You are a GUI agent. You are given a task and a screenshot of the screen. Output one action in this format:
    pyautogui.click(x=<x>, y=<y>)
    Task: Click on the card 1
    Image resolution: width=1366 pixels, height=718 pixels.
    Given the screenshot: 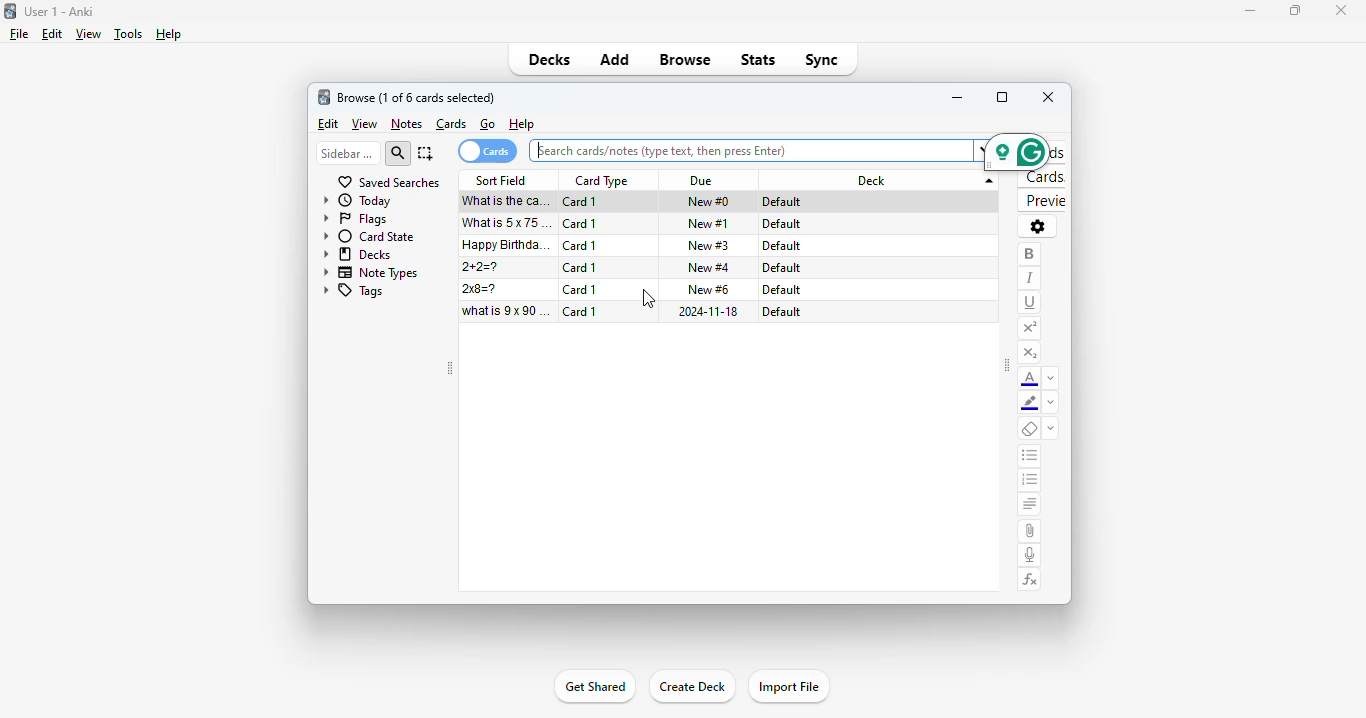 What is the action you would take?
    pyautogui.click(x=580, y=290)
    